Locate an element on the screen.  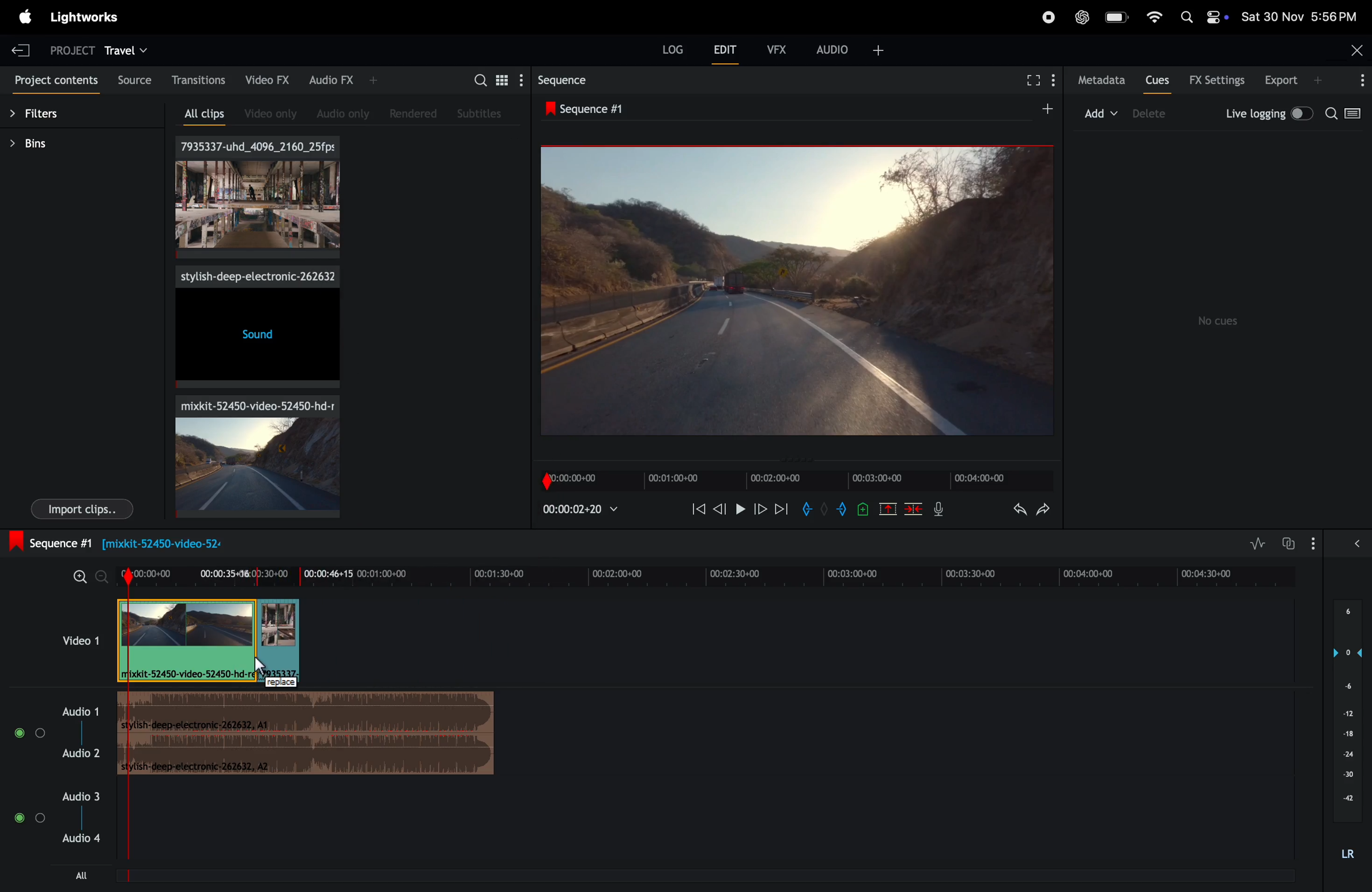
video clips is located at coordinates (259, 198).